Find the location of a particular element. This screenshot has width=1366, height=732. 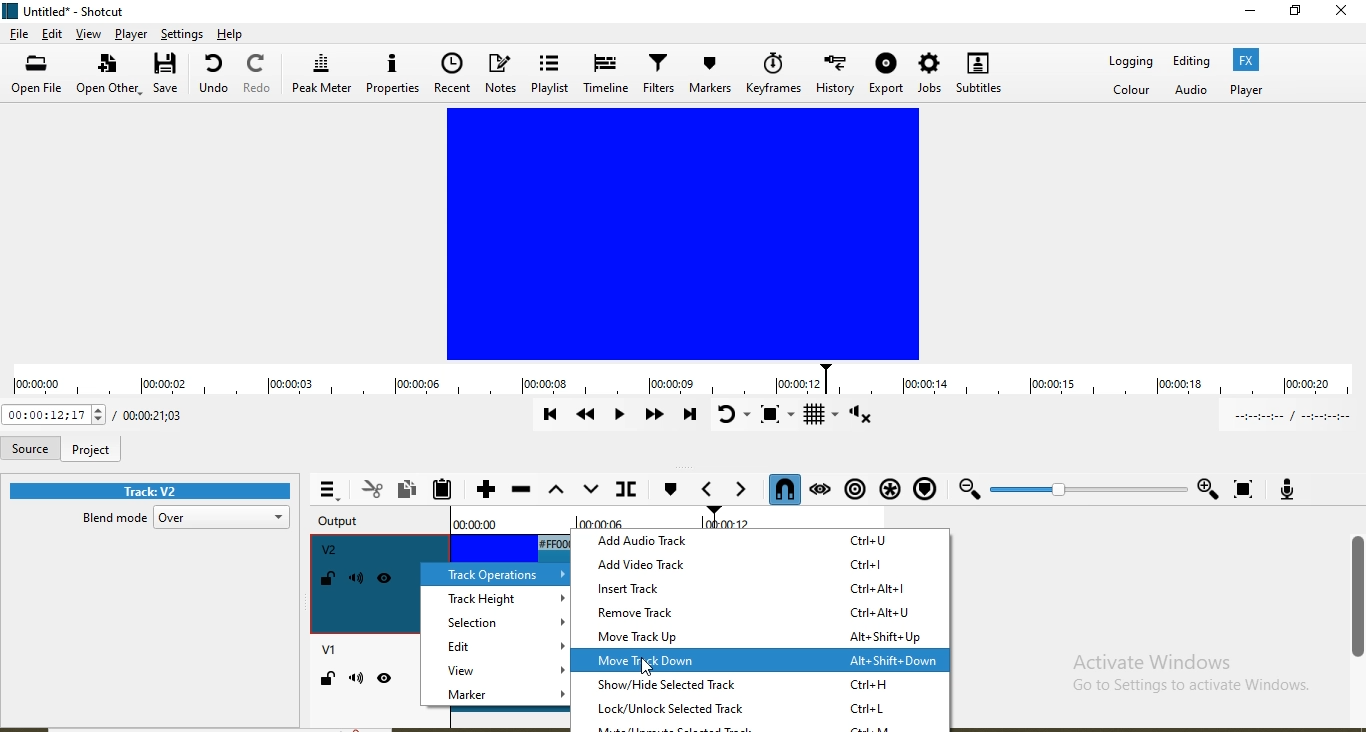

edit is located at coordinates (51, 34).